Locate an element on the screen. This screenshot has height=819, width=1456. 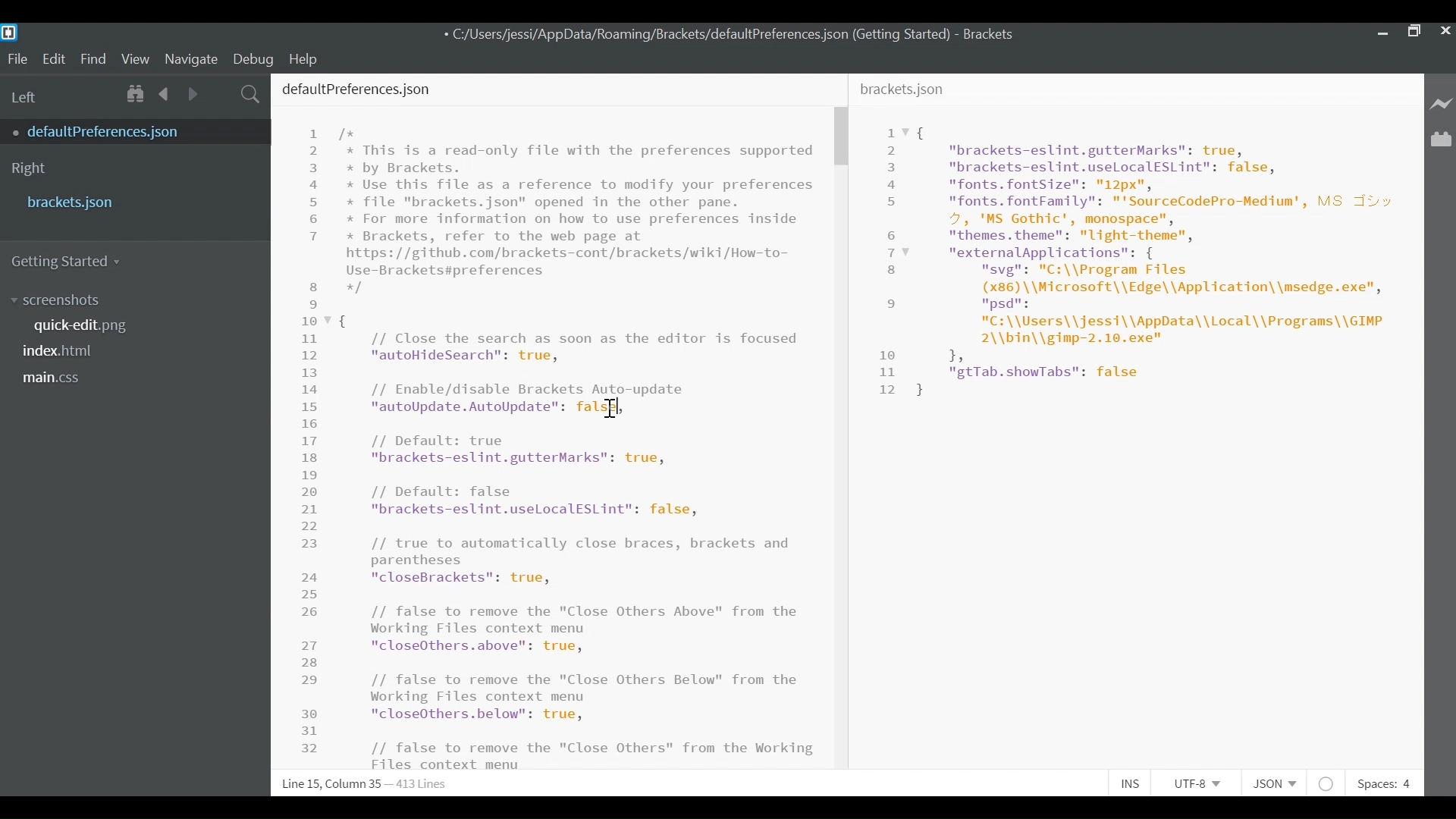
bracket.json File Path- Brackets is located at coordinates (732, 35).